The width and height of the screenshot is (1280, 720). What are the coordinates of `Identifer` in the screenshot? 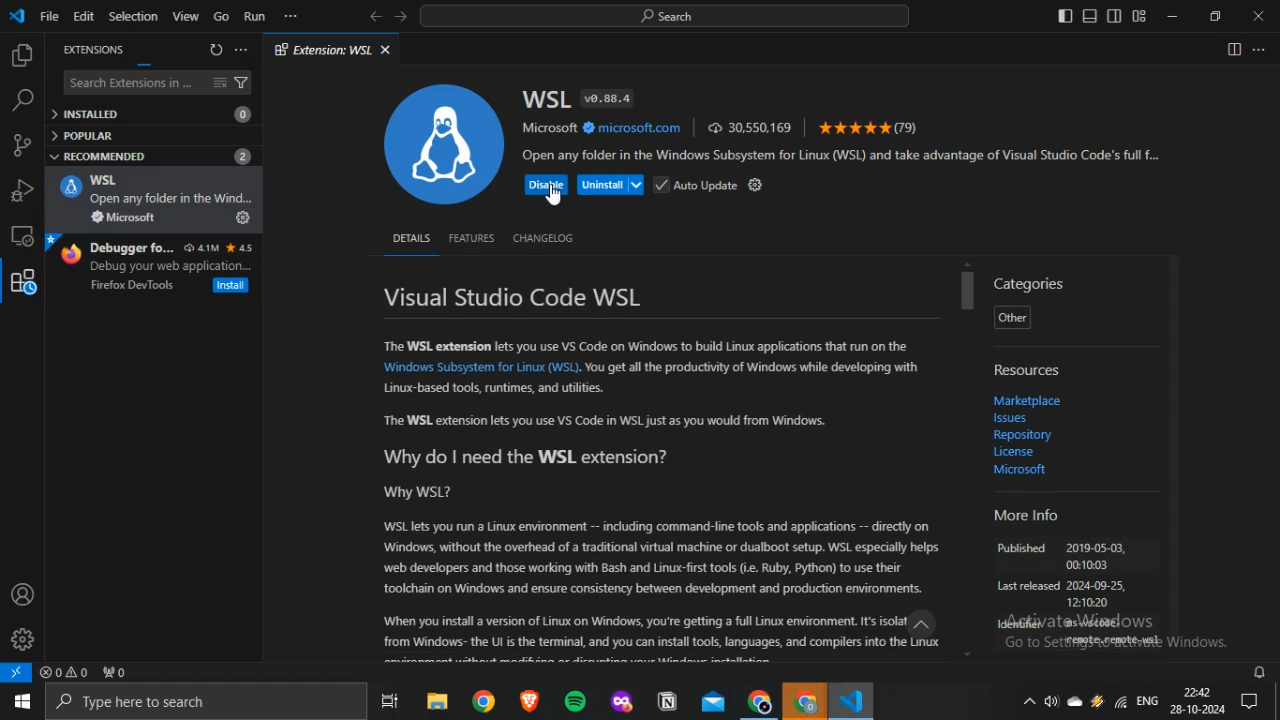 It's located at (1020, 625).